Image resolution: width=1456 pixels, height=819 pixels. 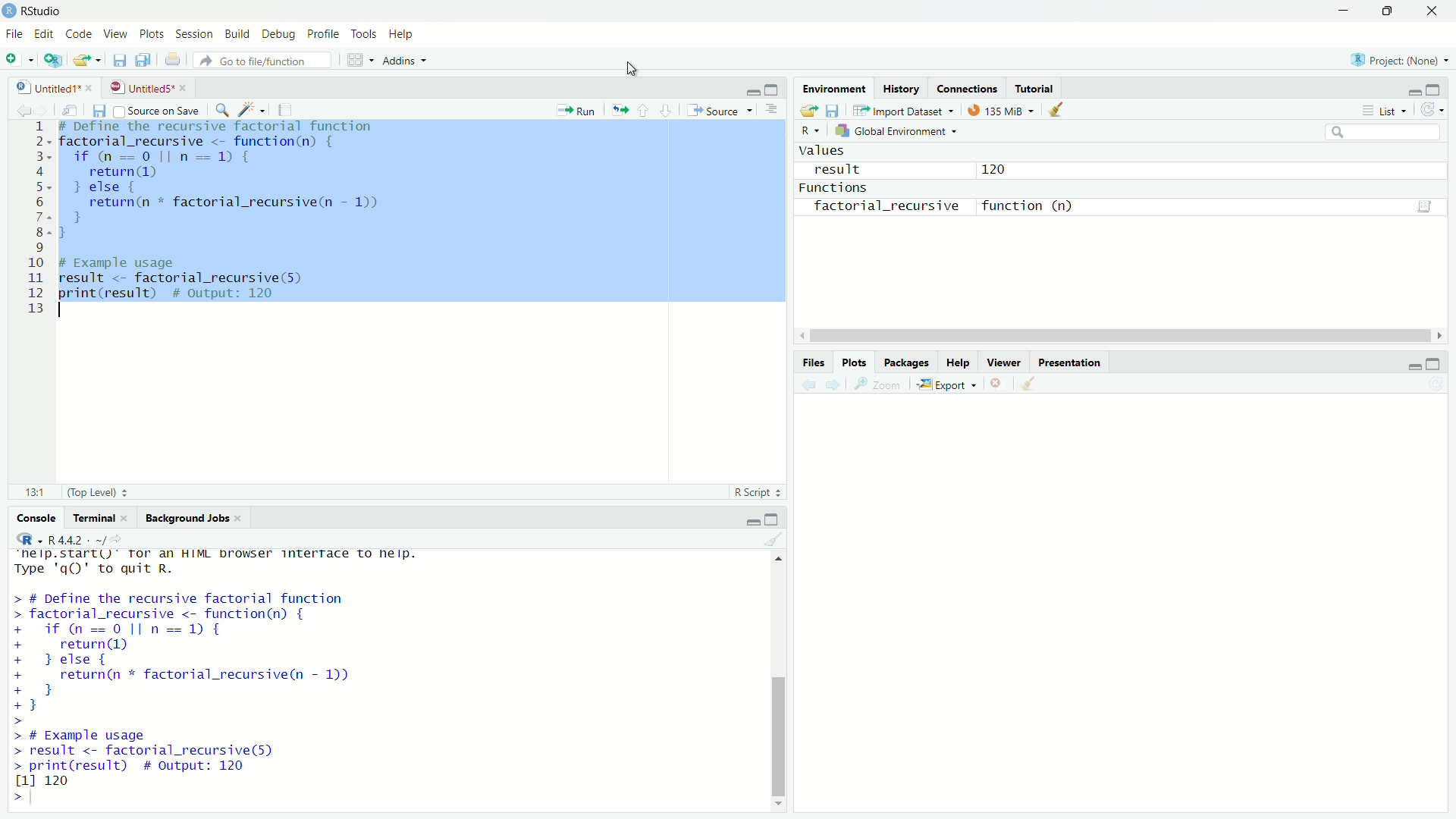 What do you see at coordinates (1443, 331) in the screenshot?
I see `Right` at bounding box center [1443, 331].